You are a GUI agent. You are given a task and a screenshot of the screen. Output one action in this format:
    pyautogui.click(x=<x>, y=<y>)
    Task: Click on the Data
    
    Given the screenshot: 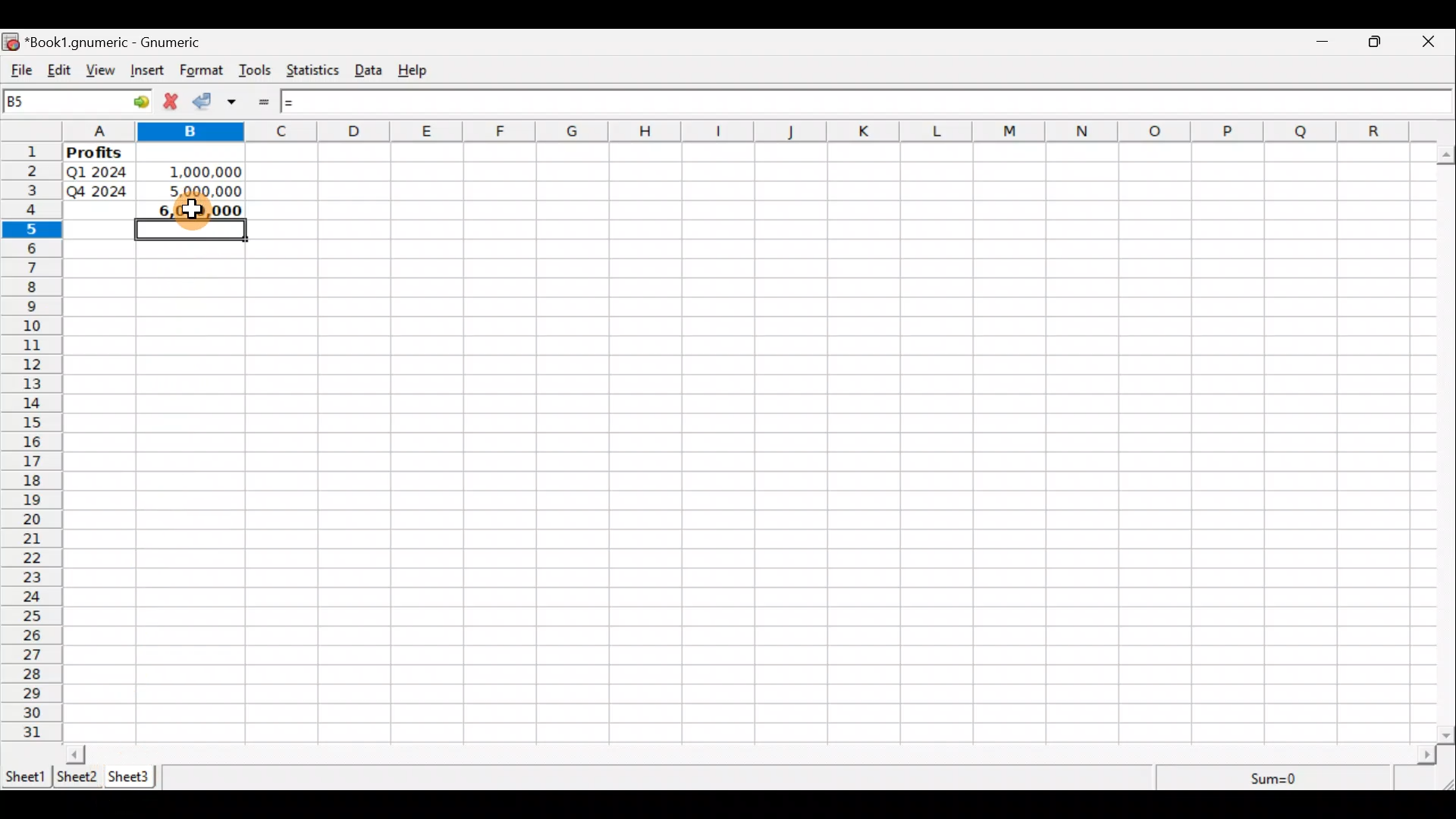 What is the action you would take?
    pyautogui.click(x=373, y=71)
    